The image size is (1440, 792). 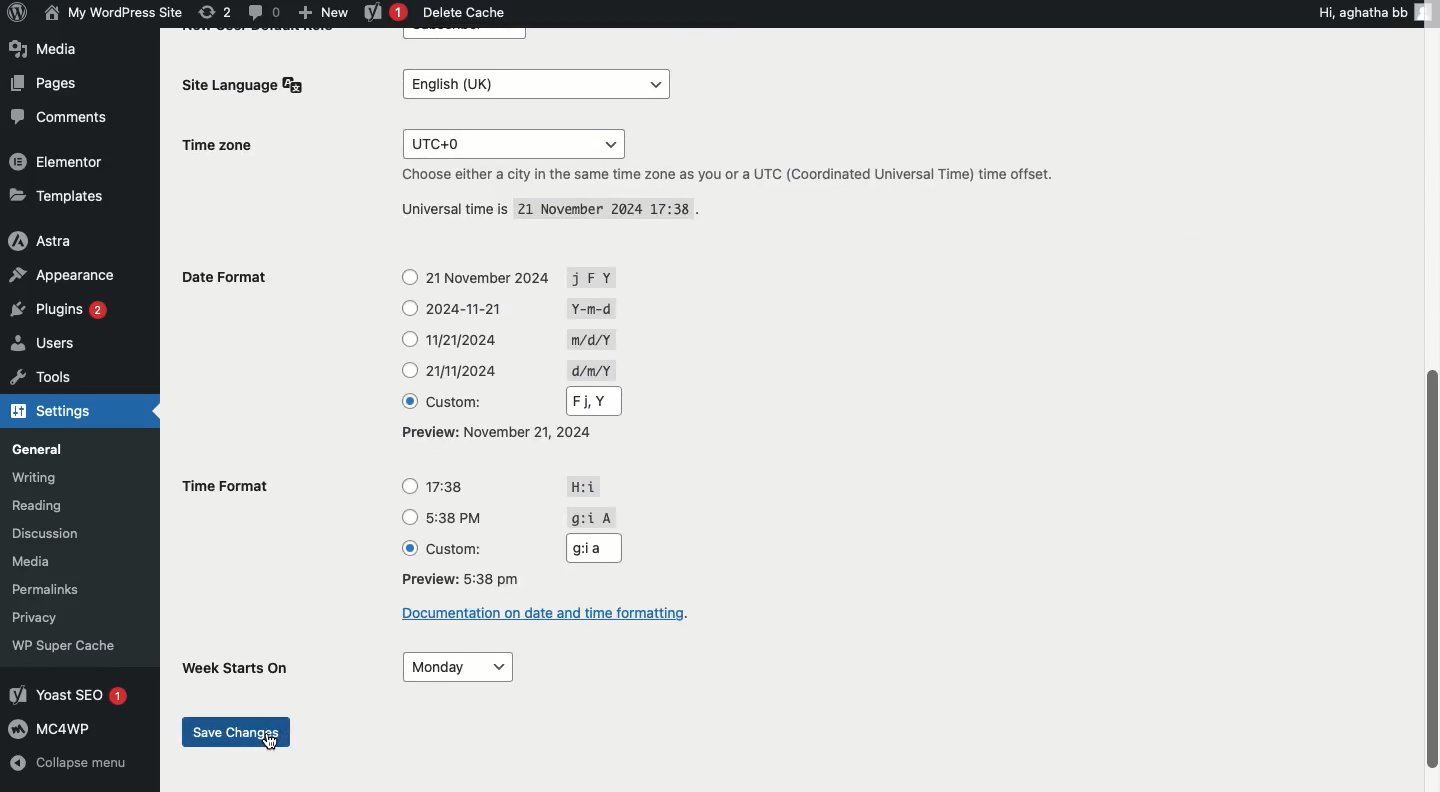 What do you see at coordinates (215, 12) in the screenshot?
I see `Revisions (2)` at bounding box center [215, 12].